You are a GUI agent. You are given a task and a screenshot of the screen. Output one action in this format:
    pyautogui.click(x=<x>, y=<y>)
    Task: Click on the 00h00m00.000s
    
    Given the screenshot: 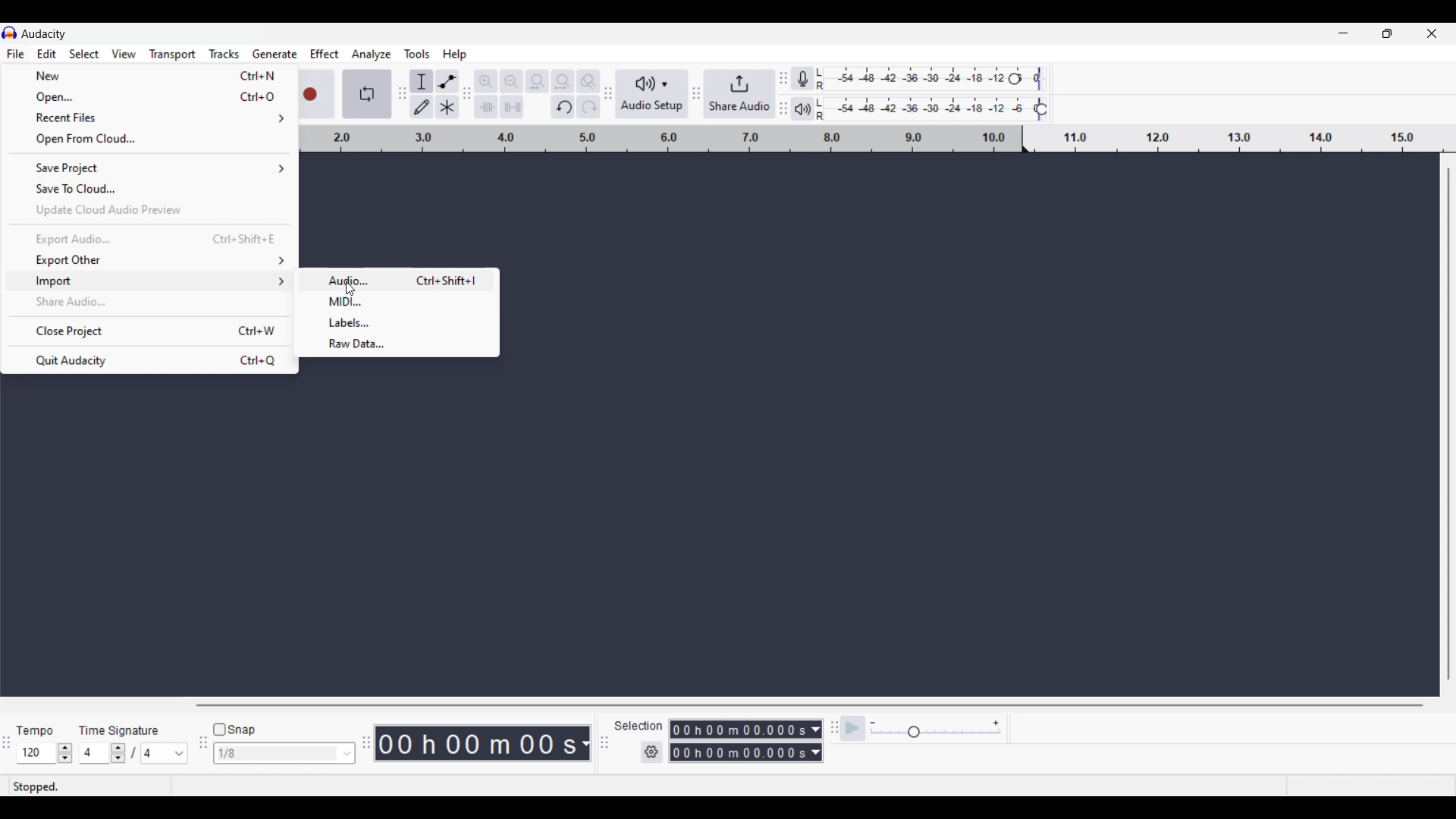 What is the action you would take?
    pyautogui.click(x=745, y=755)
    